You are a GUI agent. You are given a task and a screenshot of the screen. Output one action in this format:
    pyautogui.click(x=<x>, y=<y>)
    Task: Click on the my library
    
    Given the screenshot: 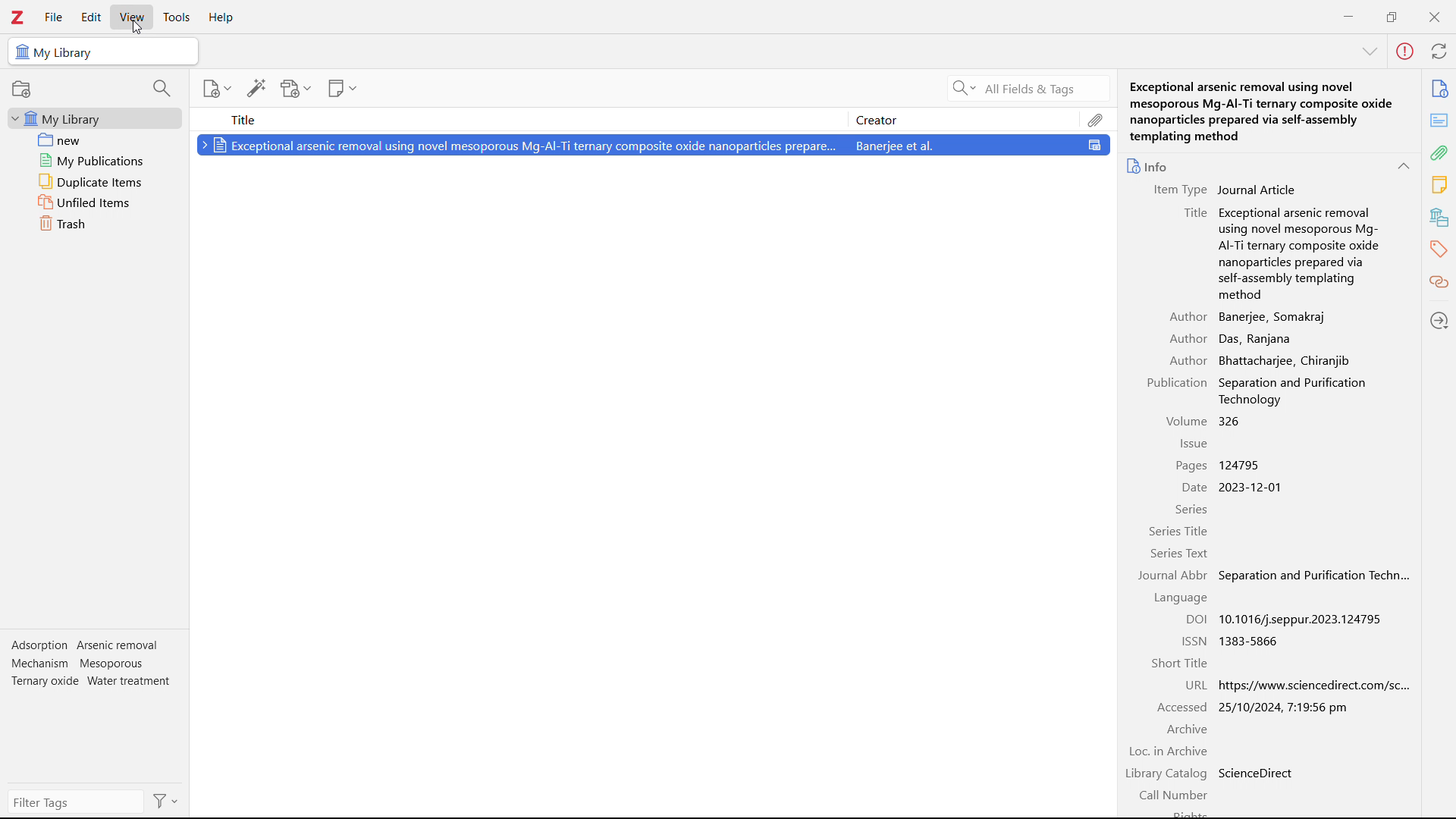 What is the action you would take?
    pyautogui.click(x=94, y=119)
    